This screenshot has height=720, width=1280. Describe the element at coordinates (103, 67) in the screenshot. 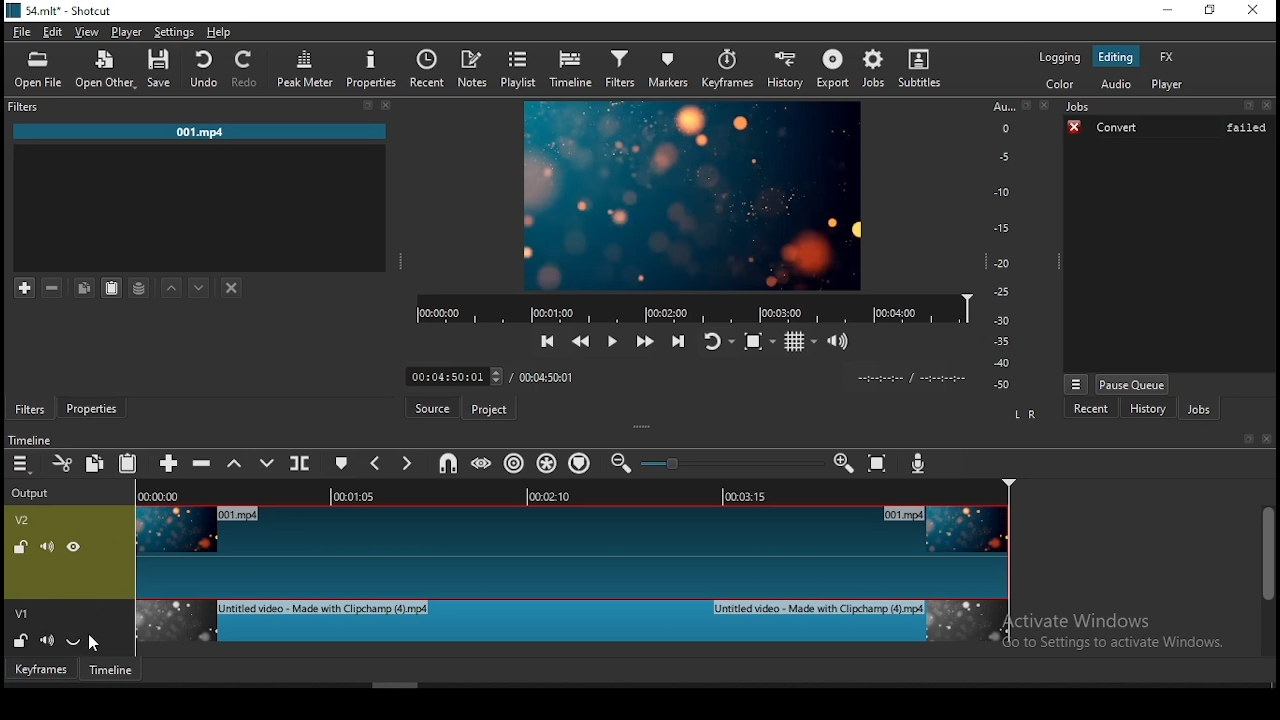

I see `open other` at that location.